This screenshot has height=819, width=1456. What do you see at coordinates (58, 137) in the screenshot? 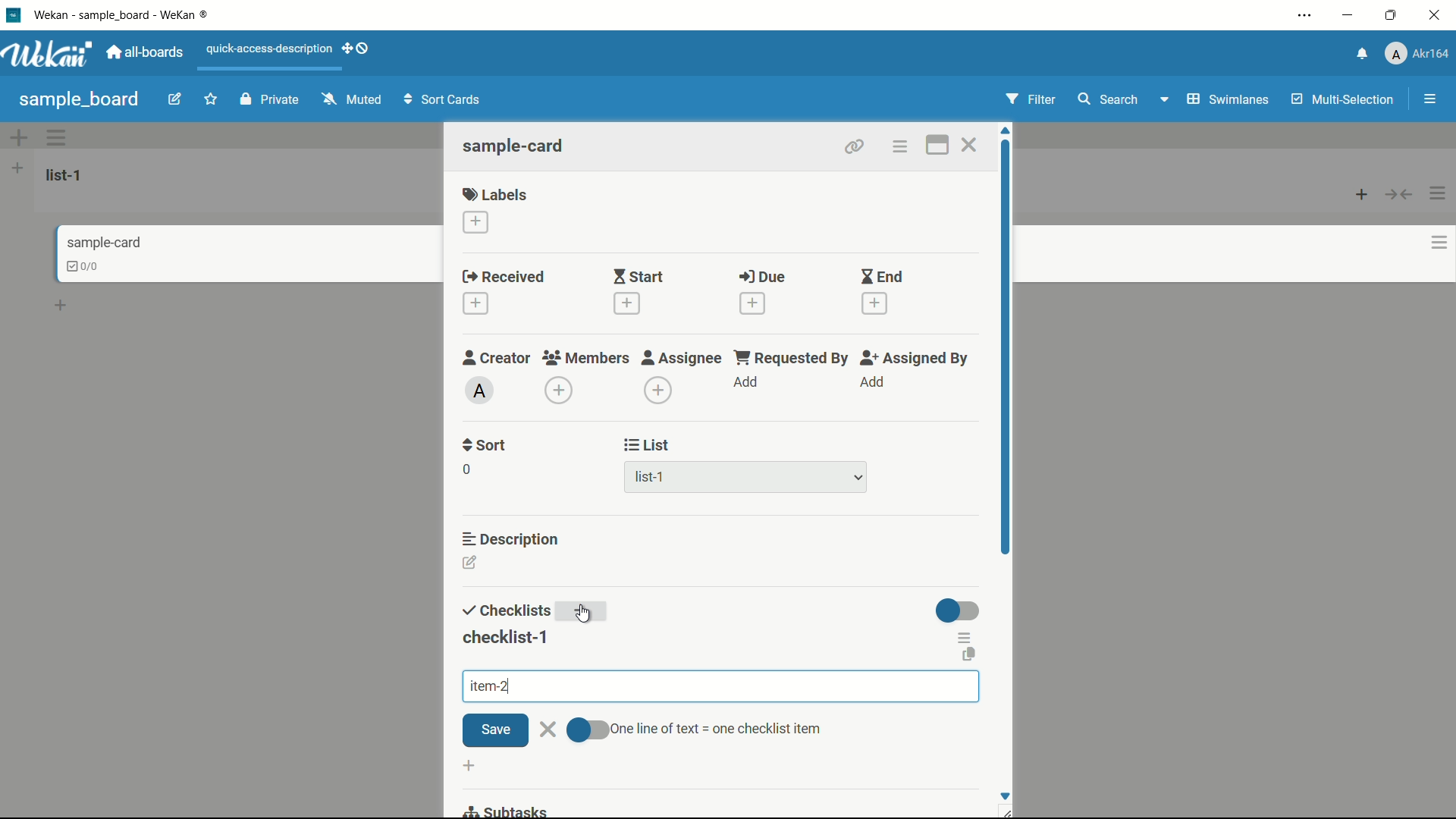
I see `swimlane actions` at bounding box center [58, 137].